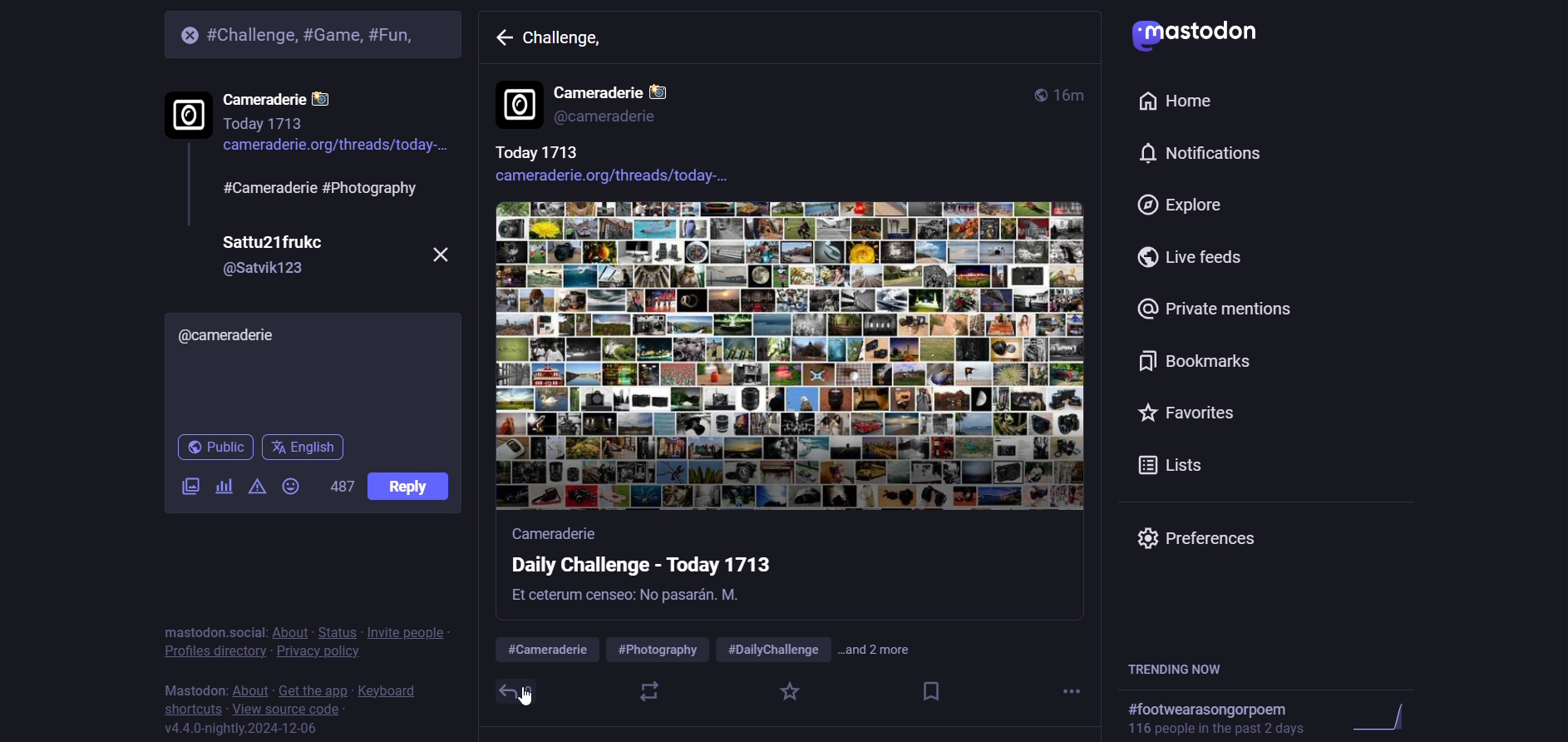  What do you see at coordinates (255, 484) in the screenshot?
I see `content warning` at bounding box center [255, 484].